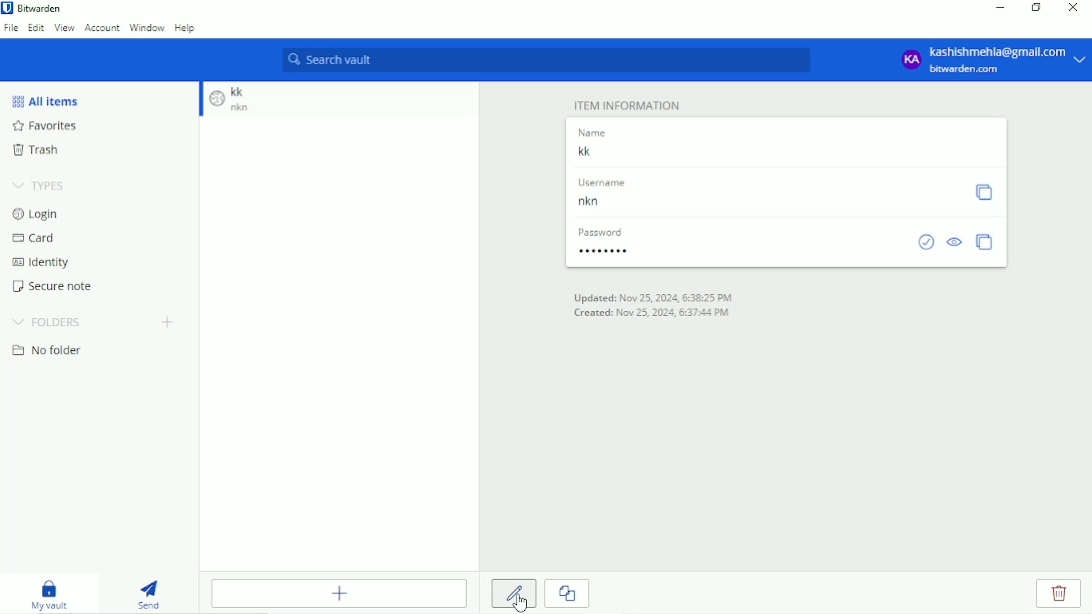 The width and height of the screenshot is (1092, 614). I want to click on Clone, so click(569, 594).